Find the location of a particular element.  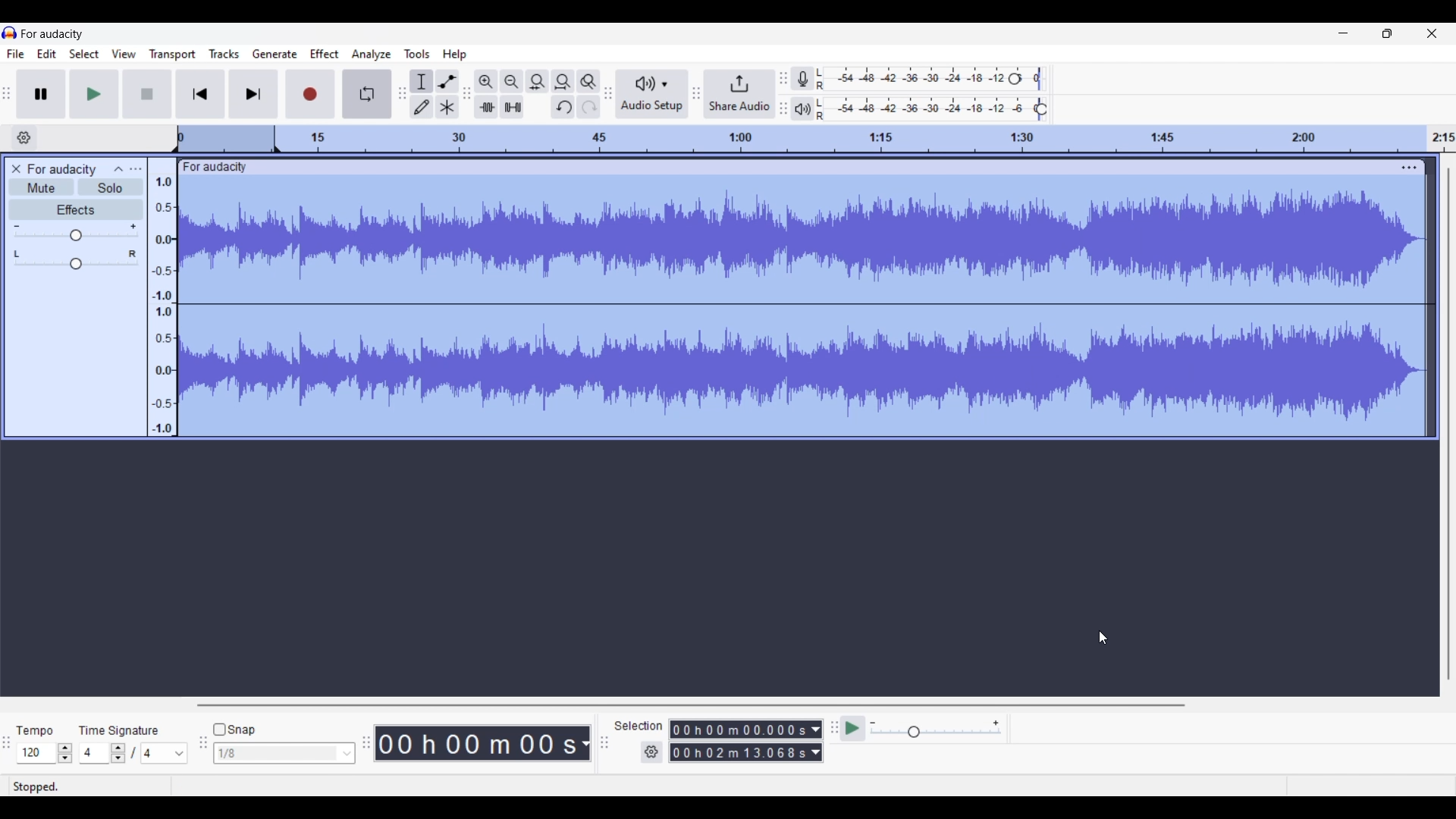

Vertical slide bar is located at coordinates (1448, 423).